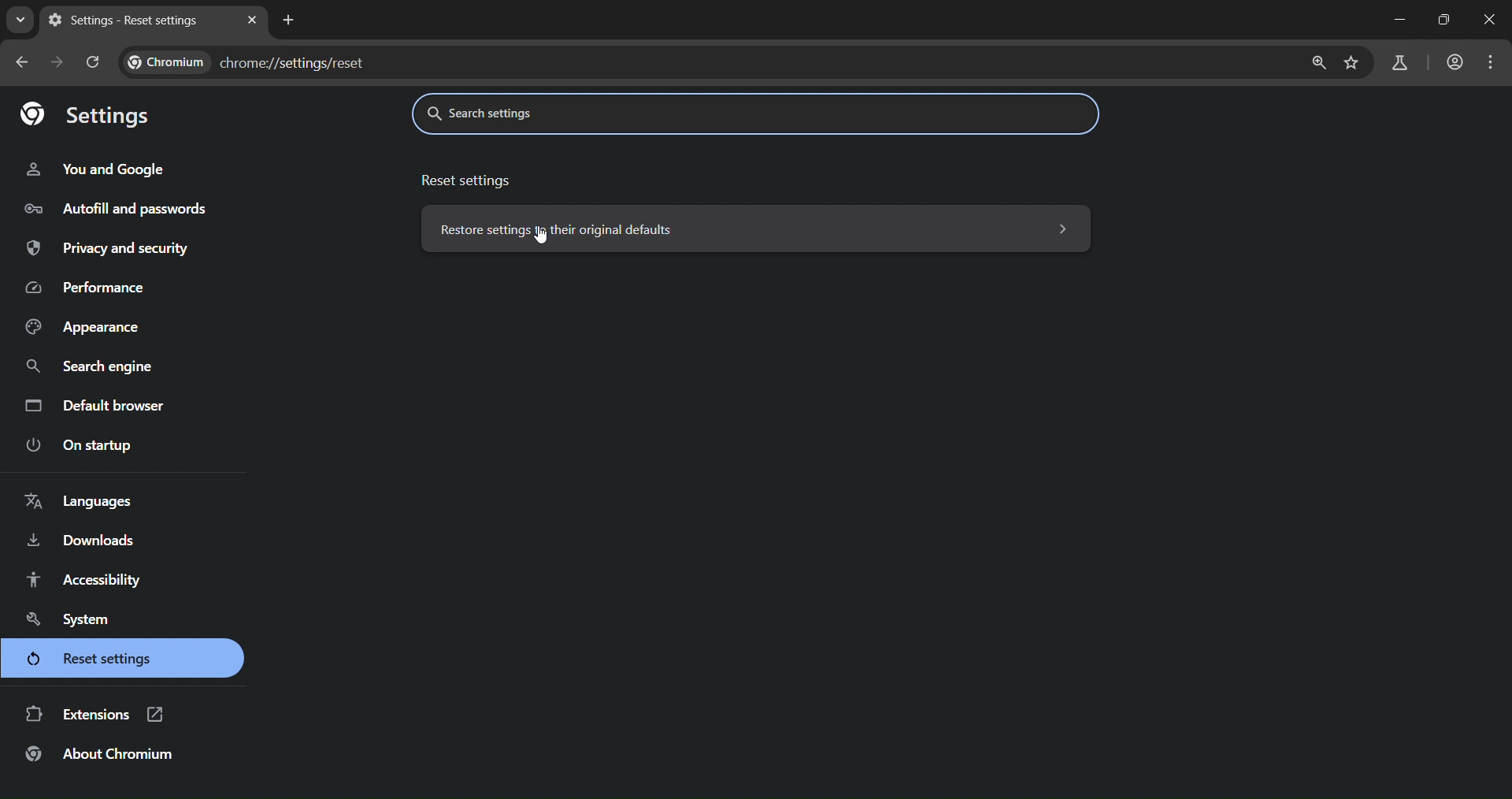 Image resolution: width=1512 pixels, height=799 pixels. I want to click on settings - reset settings, so click(127, 20).